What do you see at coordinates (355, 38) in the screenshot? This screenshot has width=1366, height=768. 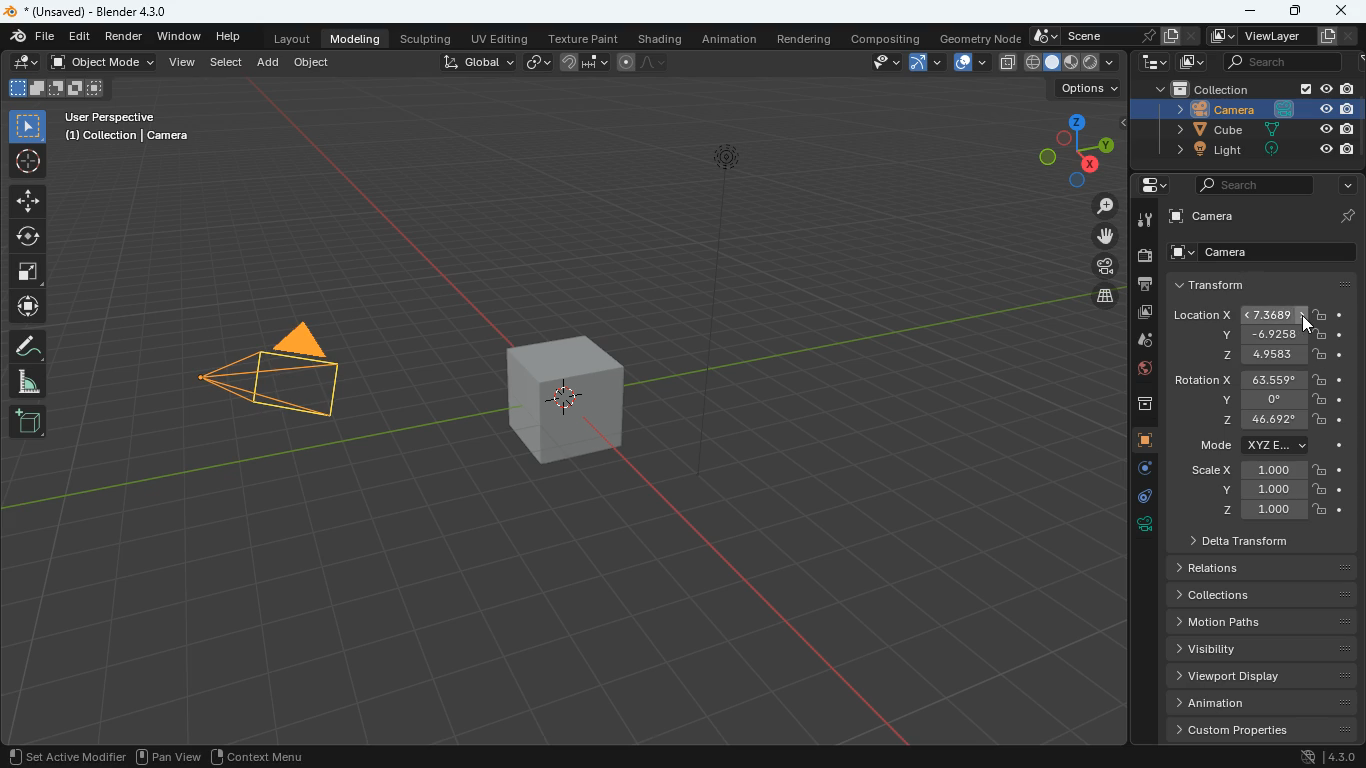 I see `modeling` at bounding box center [355, 38].